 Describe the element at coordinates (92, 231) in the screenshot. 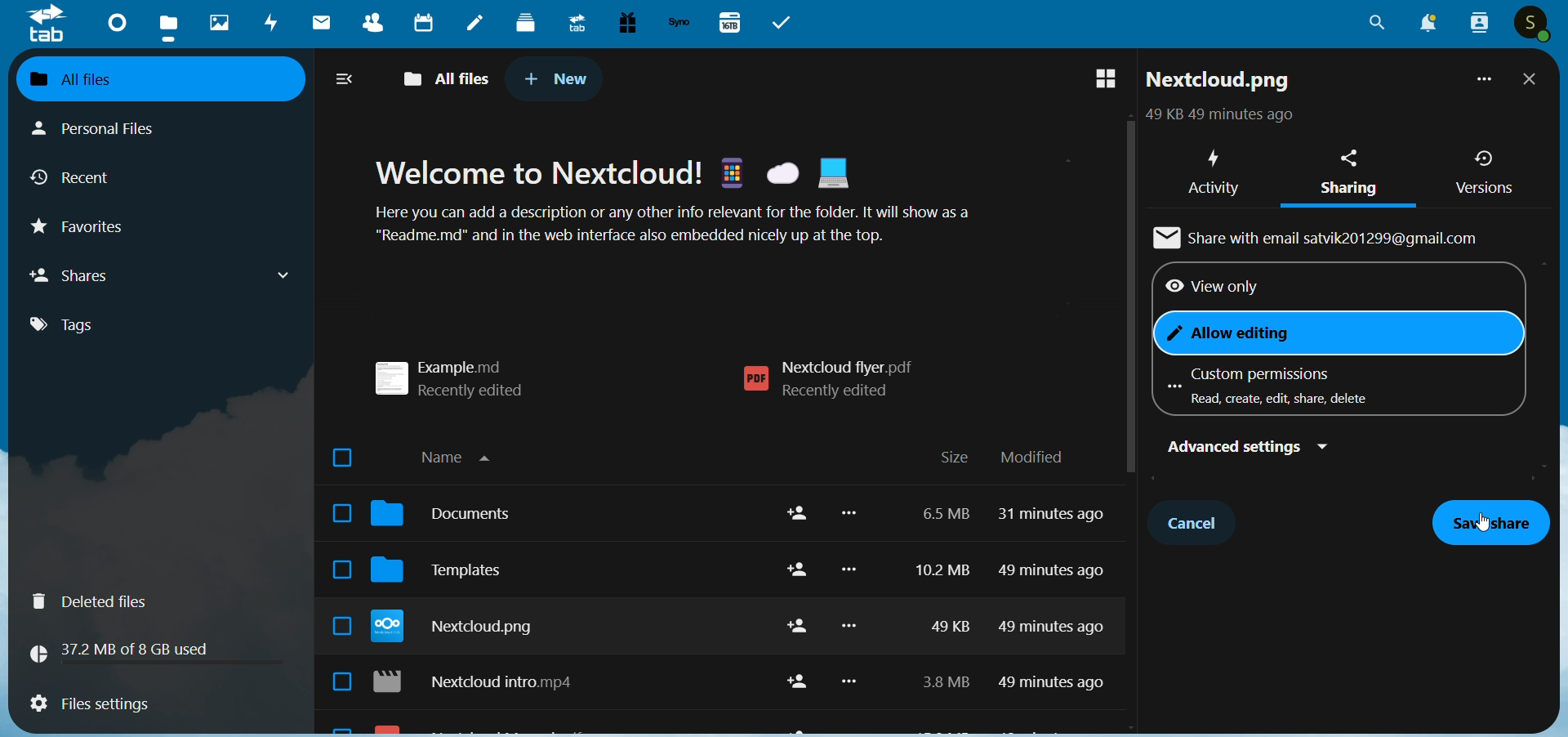

I see `favorites` at that location.